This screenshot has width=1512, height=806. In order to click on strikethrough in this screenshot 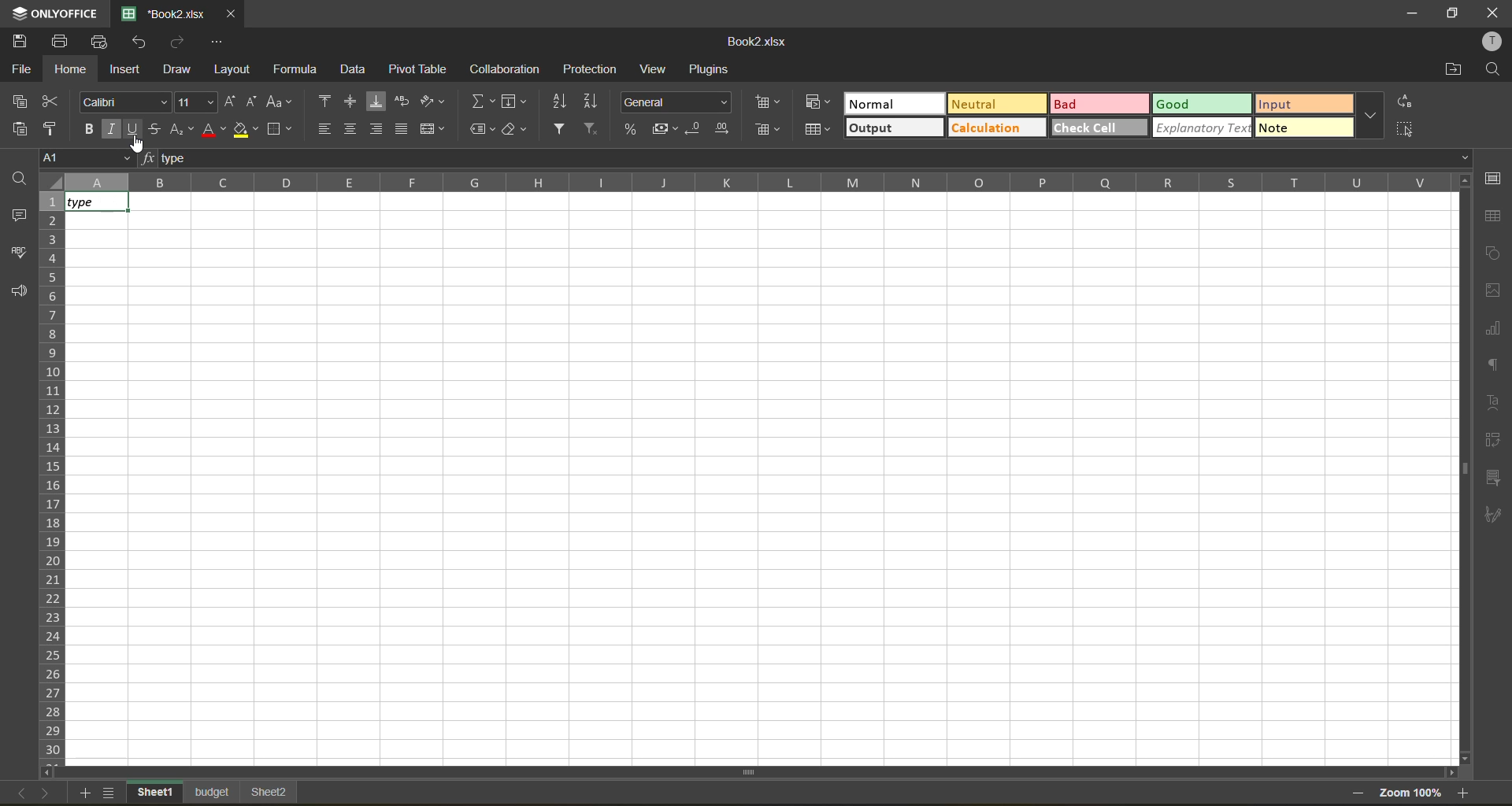, I will do `click(158, 129)`.